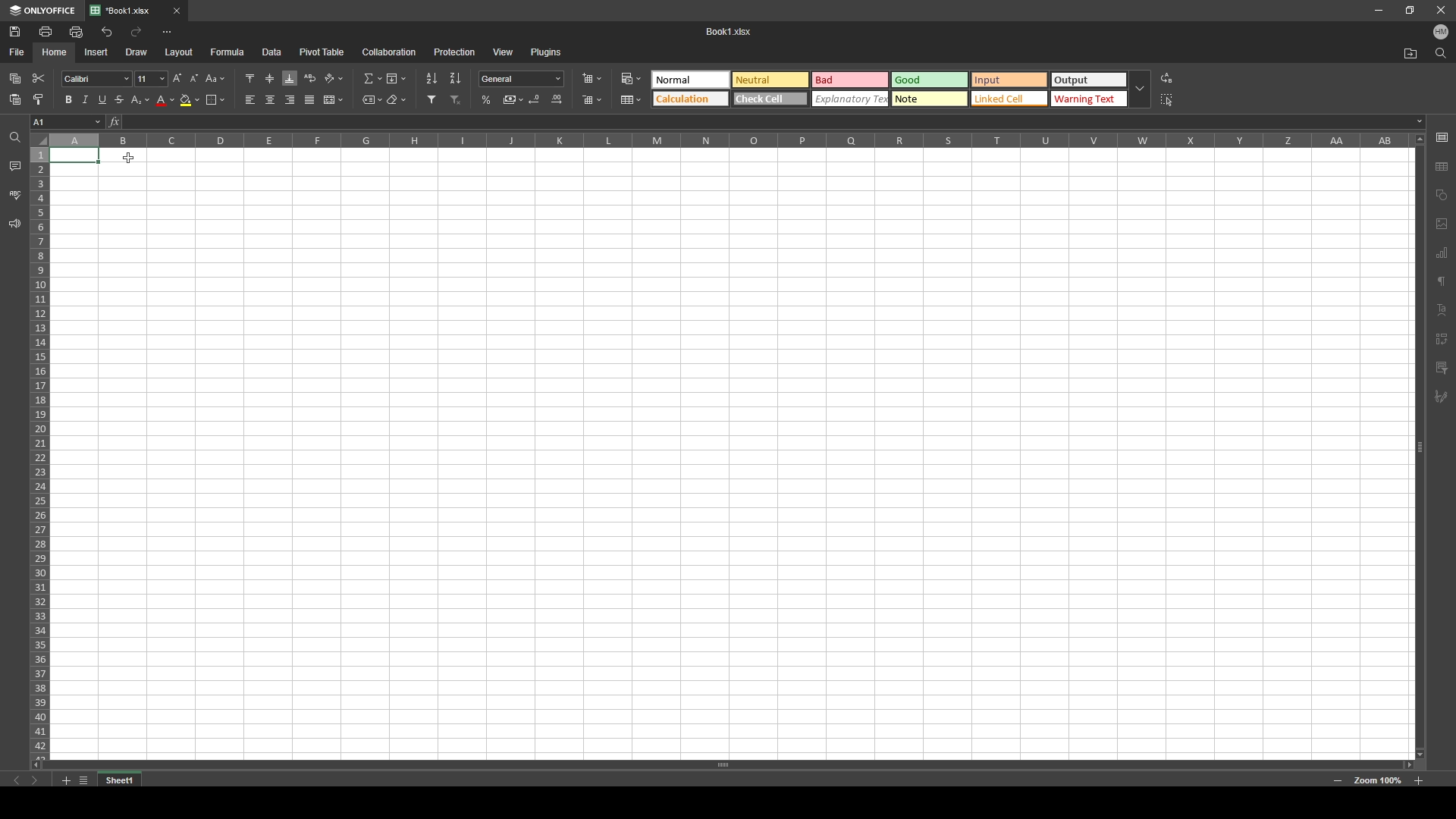  I want to click on file, so click(18, 53).